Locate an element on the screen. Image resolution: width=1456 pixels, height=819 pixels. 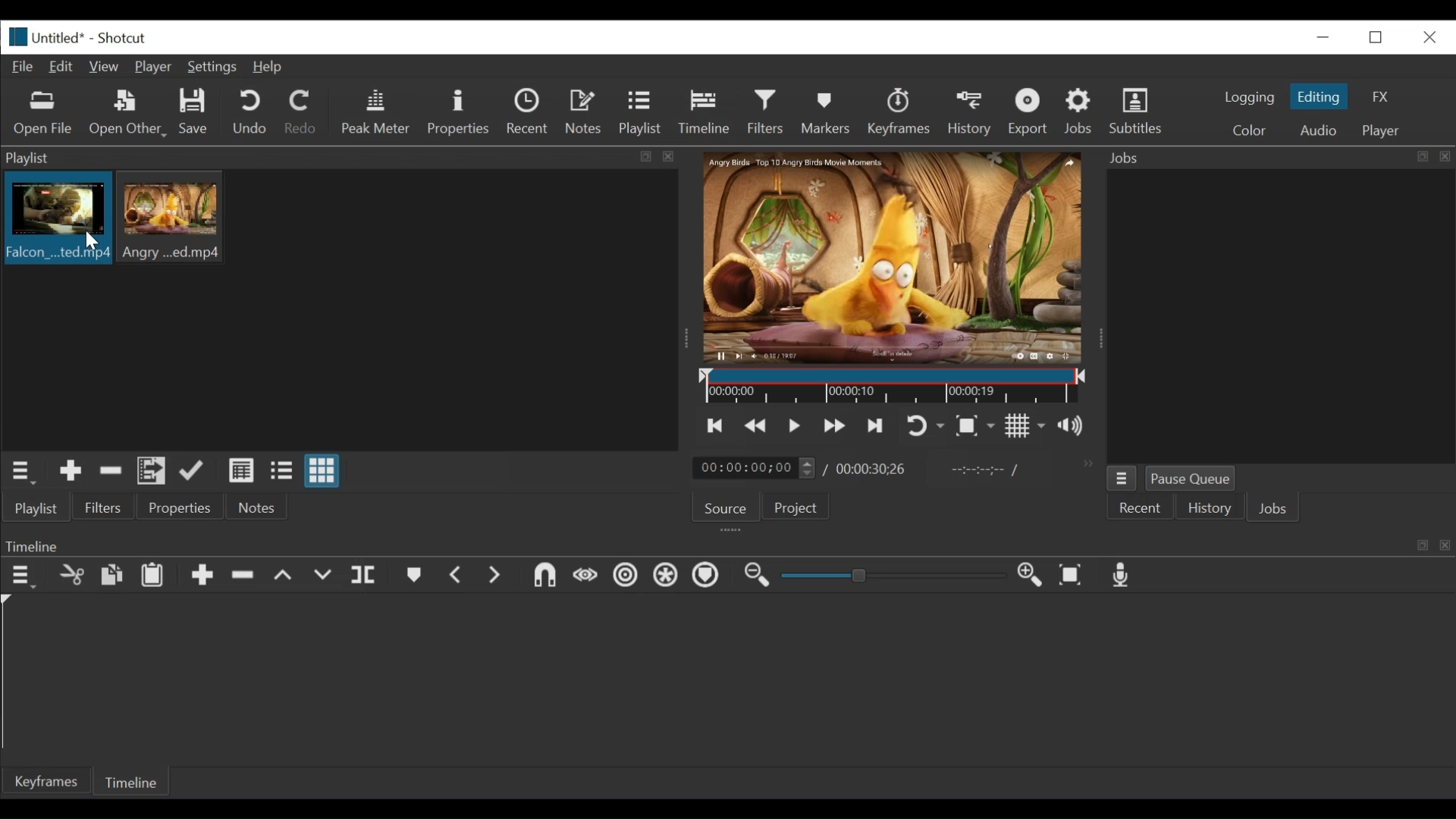
Undo is located at coordinates (252, 113).